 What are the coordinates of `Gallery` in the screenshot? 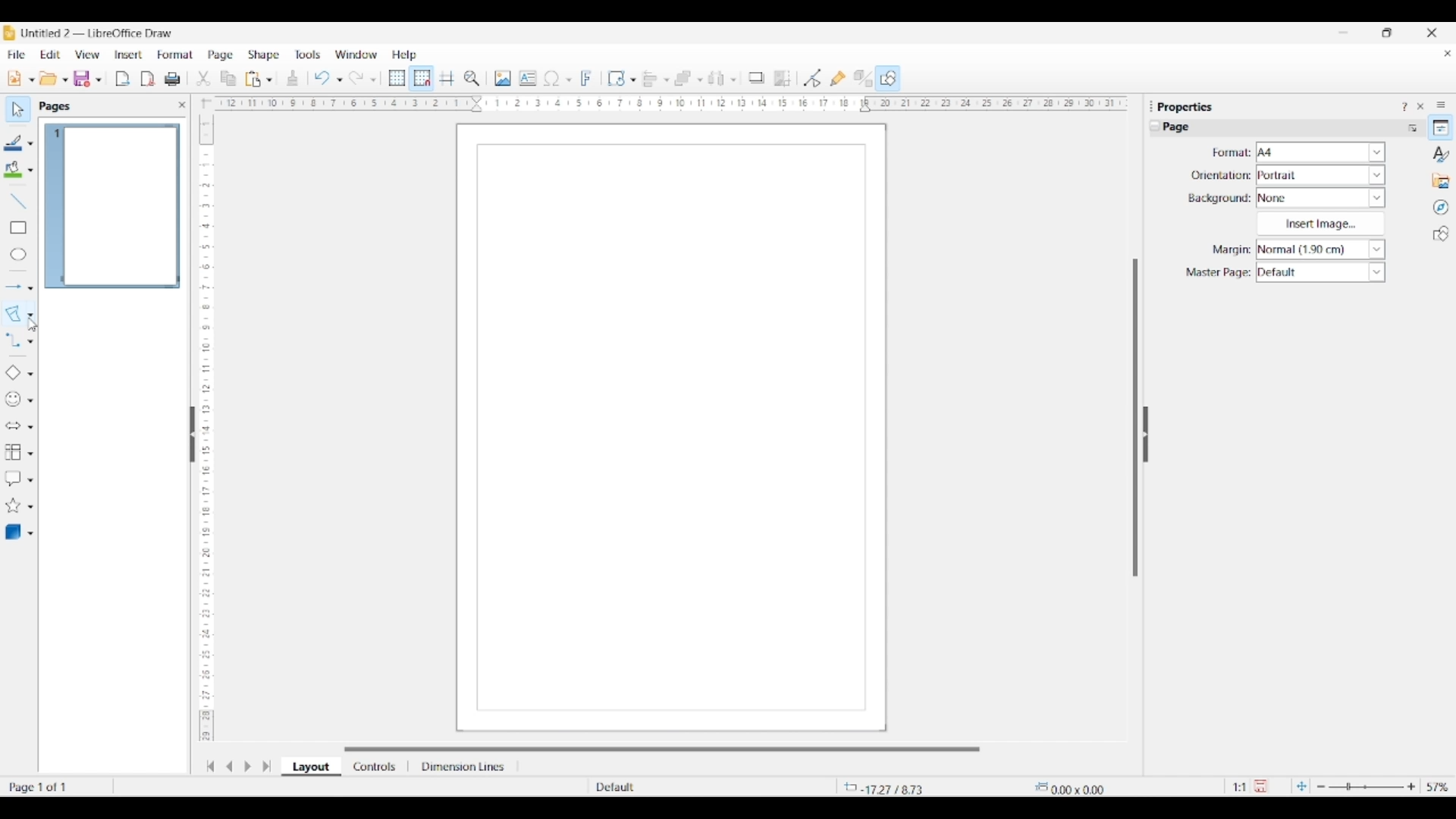 It's located at (1441, 180).